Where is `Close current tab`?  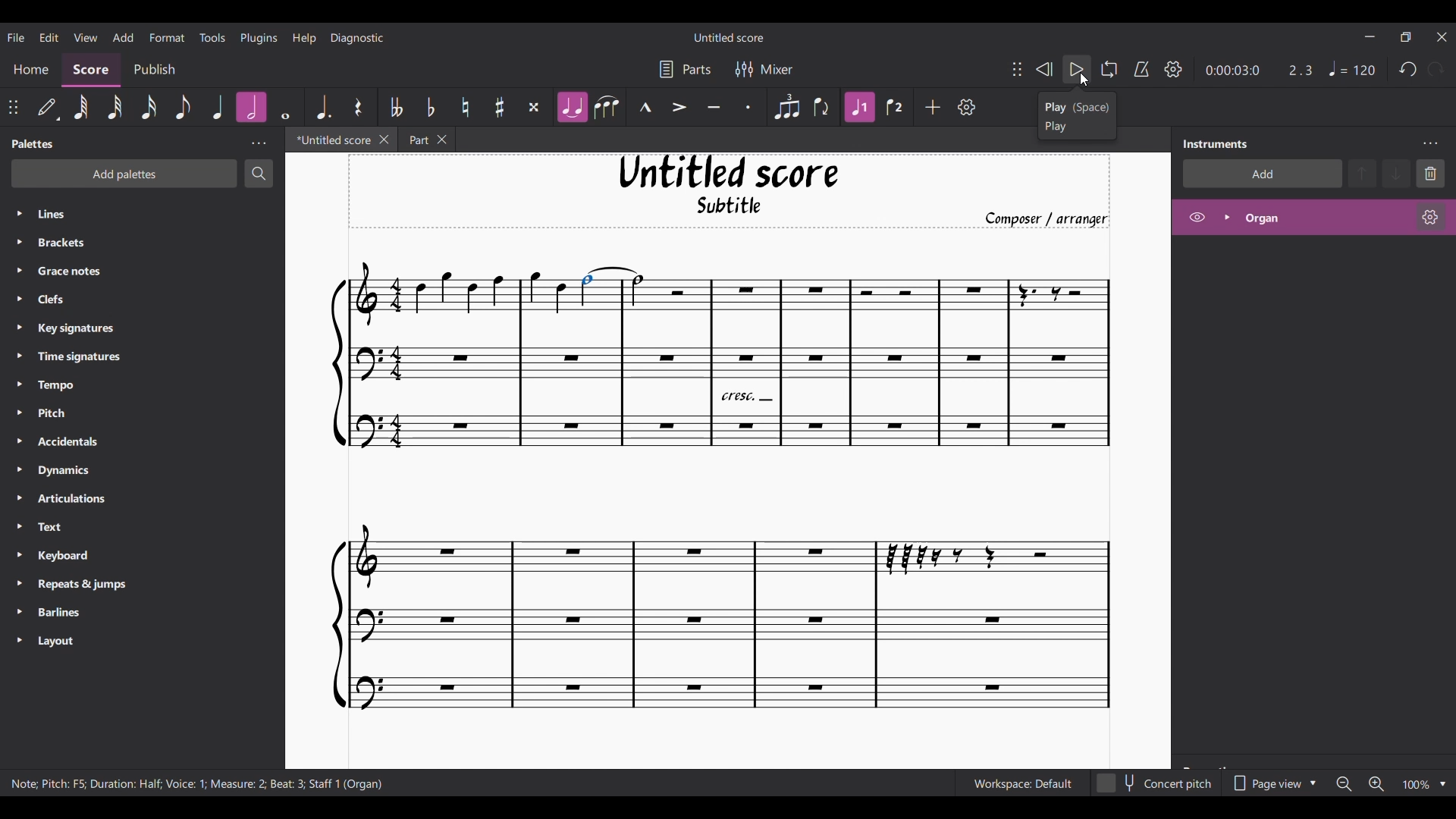 Close current tab is located at coordinates (379, 139).